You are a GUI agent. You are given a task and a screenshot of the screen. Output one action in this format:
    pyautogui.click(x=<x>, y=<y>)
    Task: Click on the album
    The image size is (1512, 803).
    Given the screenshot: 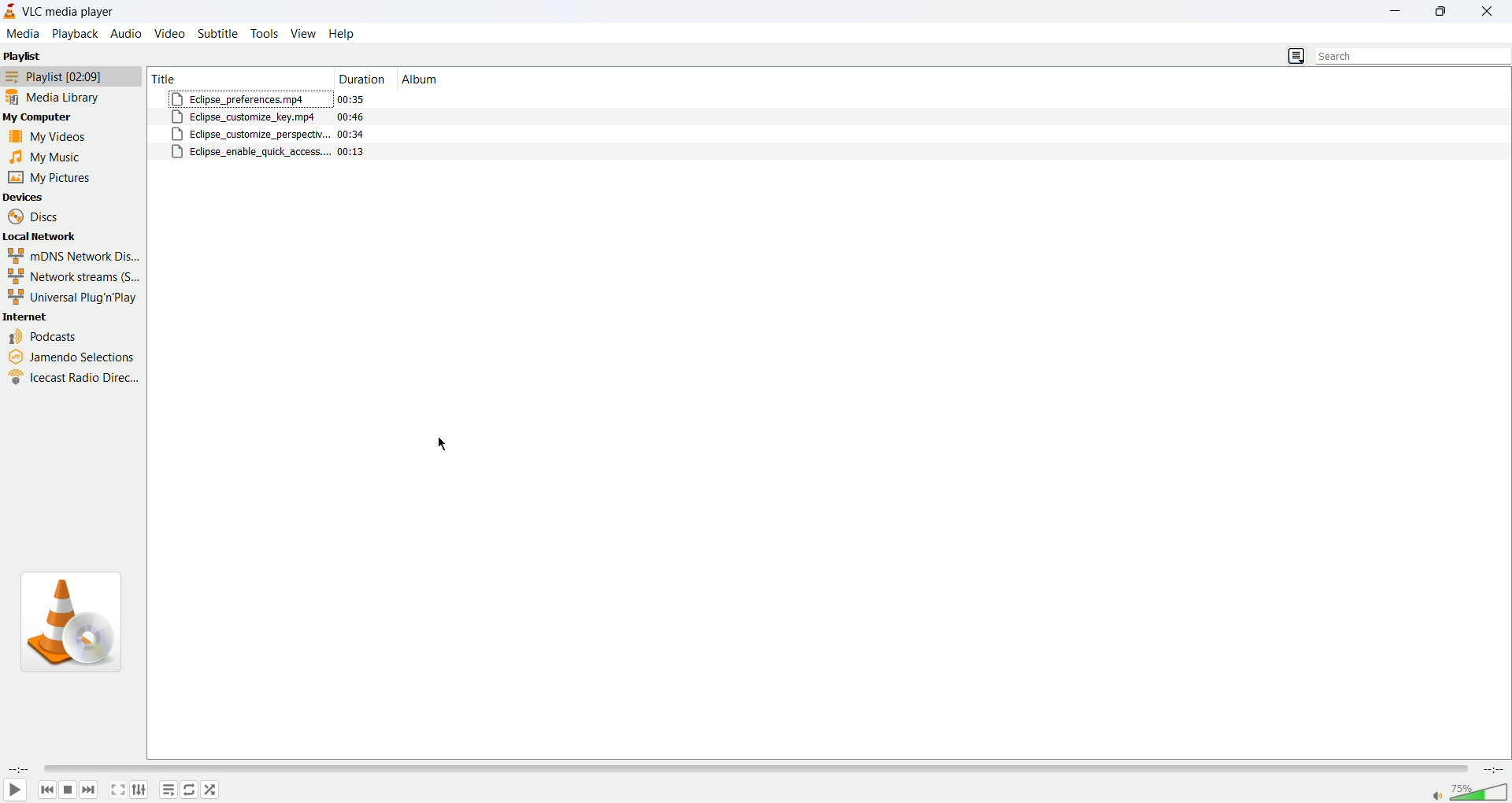 What is the action you would take?
    pyautogui.click(x=426, y=77)
    